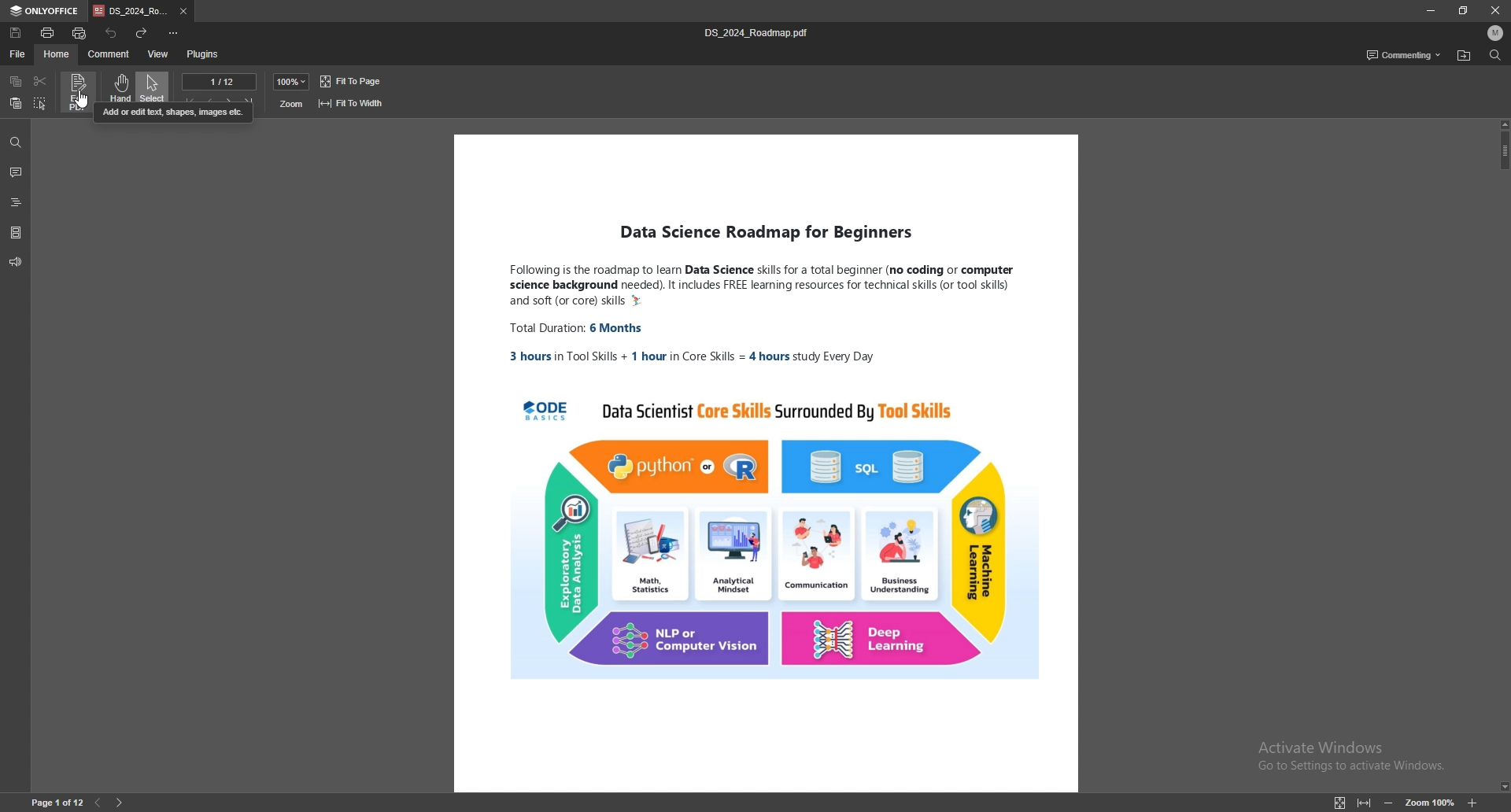 The width and height of the screenshot is (1511, 812). I want to click on Activate Windows
Go to Settings to activate Windows., so click(1358, 755).